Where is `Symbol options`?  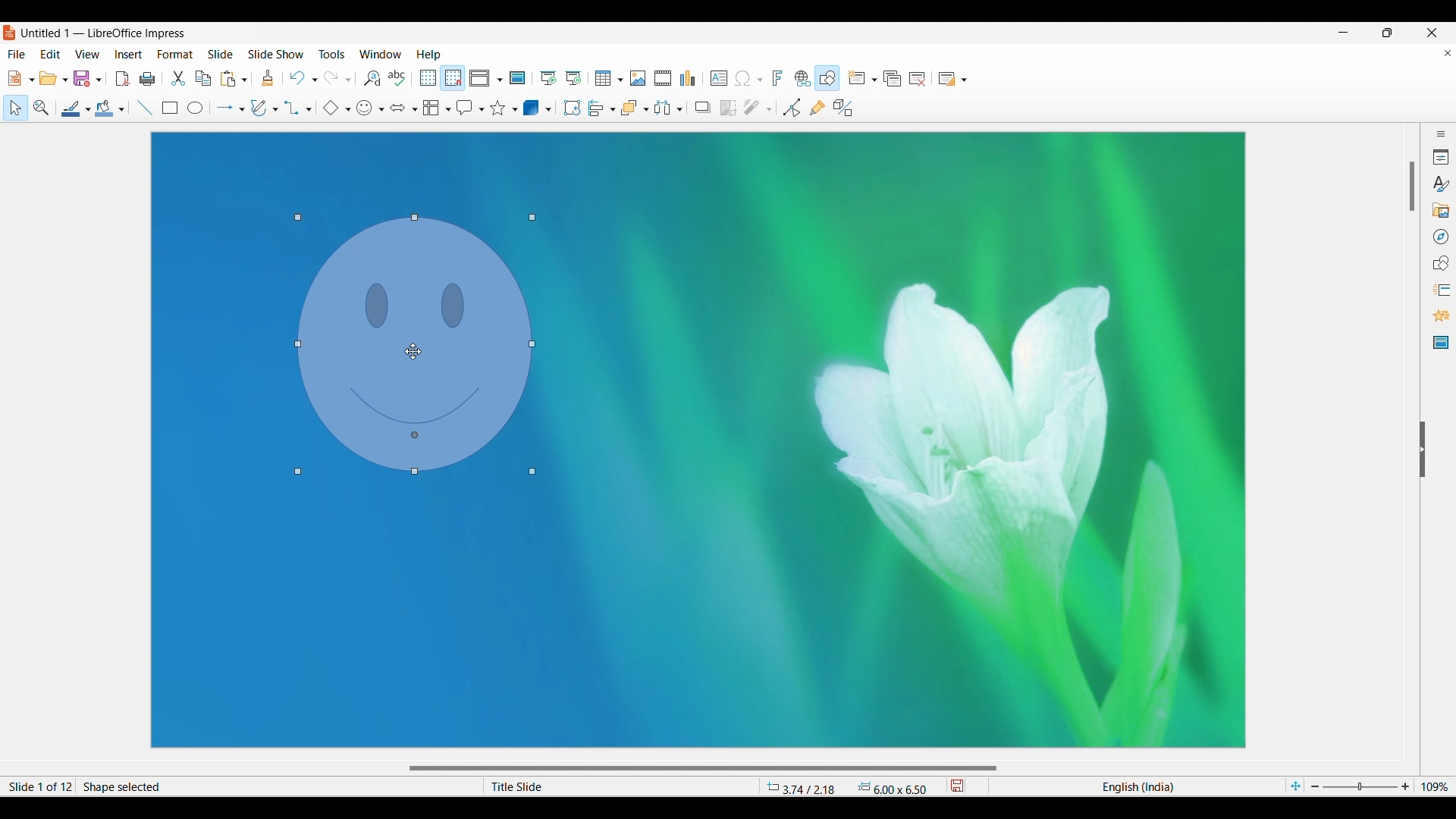 Symbol options is located at coordinates (381, 110).